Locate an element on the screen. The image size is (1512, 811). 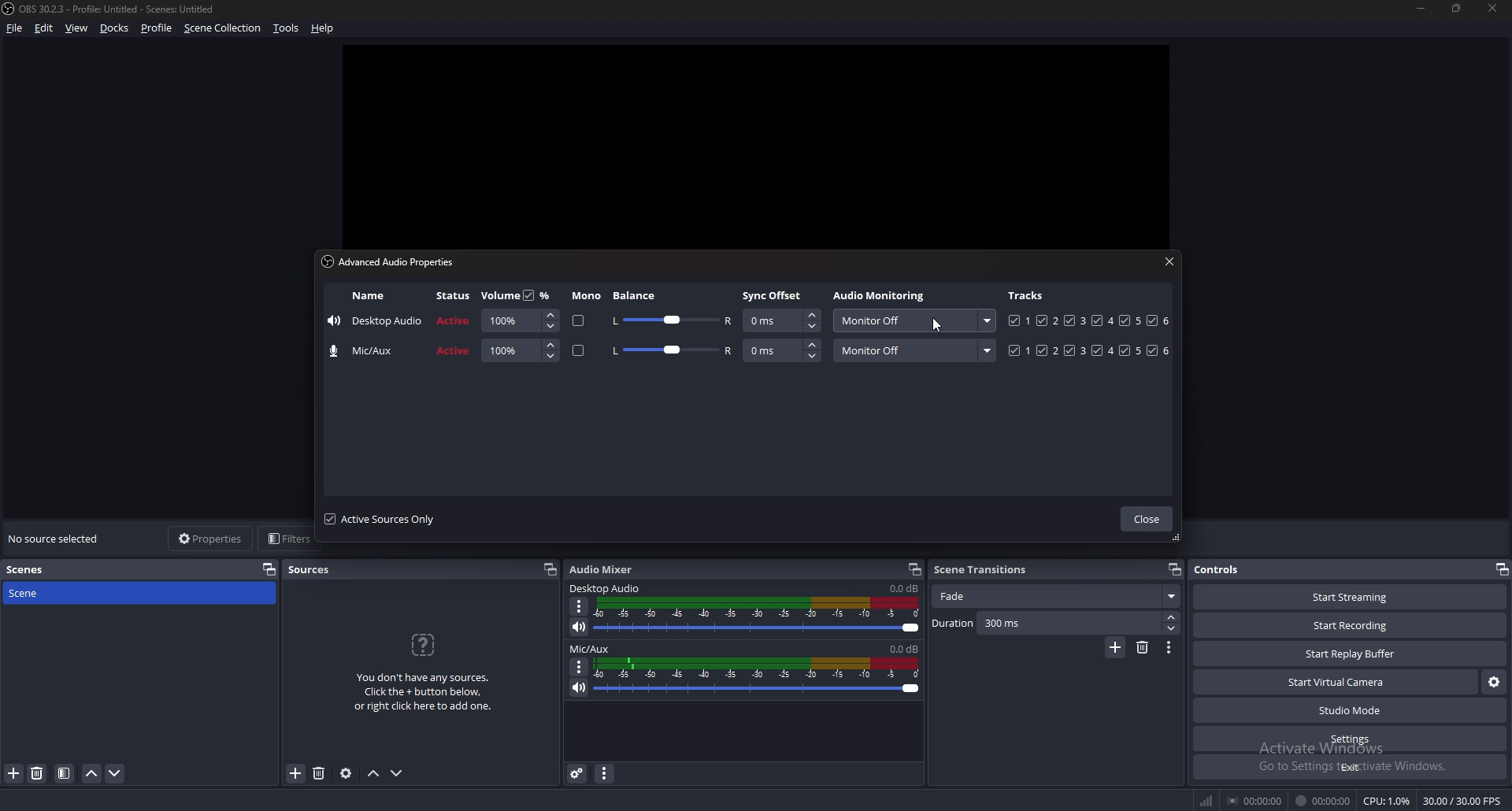
mute is located at coordinates (580, 687).